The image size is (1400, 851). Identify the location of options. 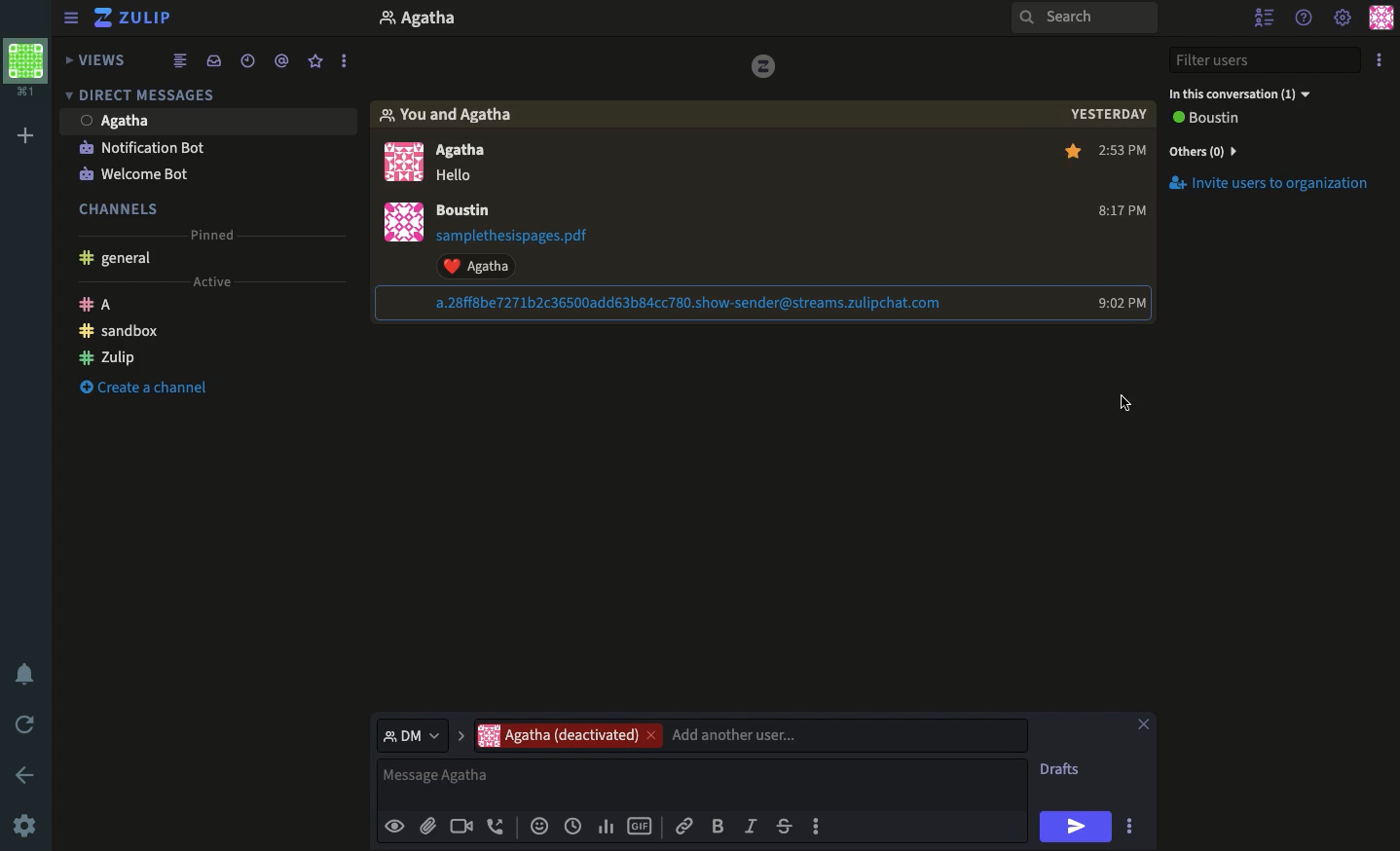
(817, 827).